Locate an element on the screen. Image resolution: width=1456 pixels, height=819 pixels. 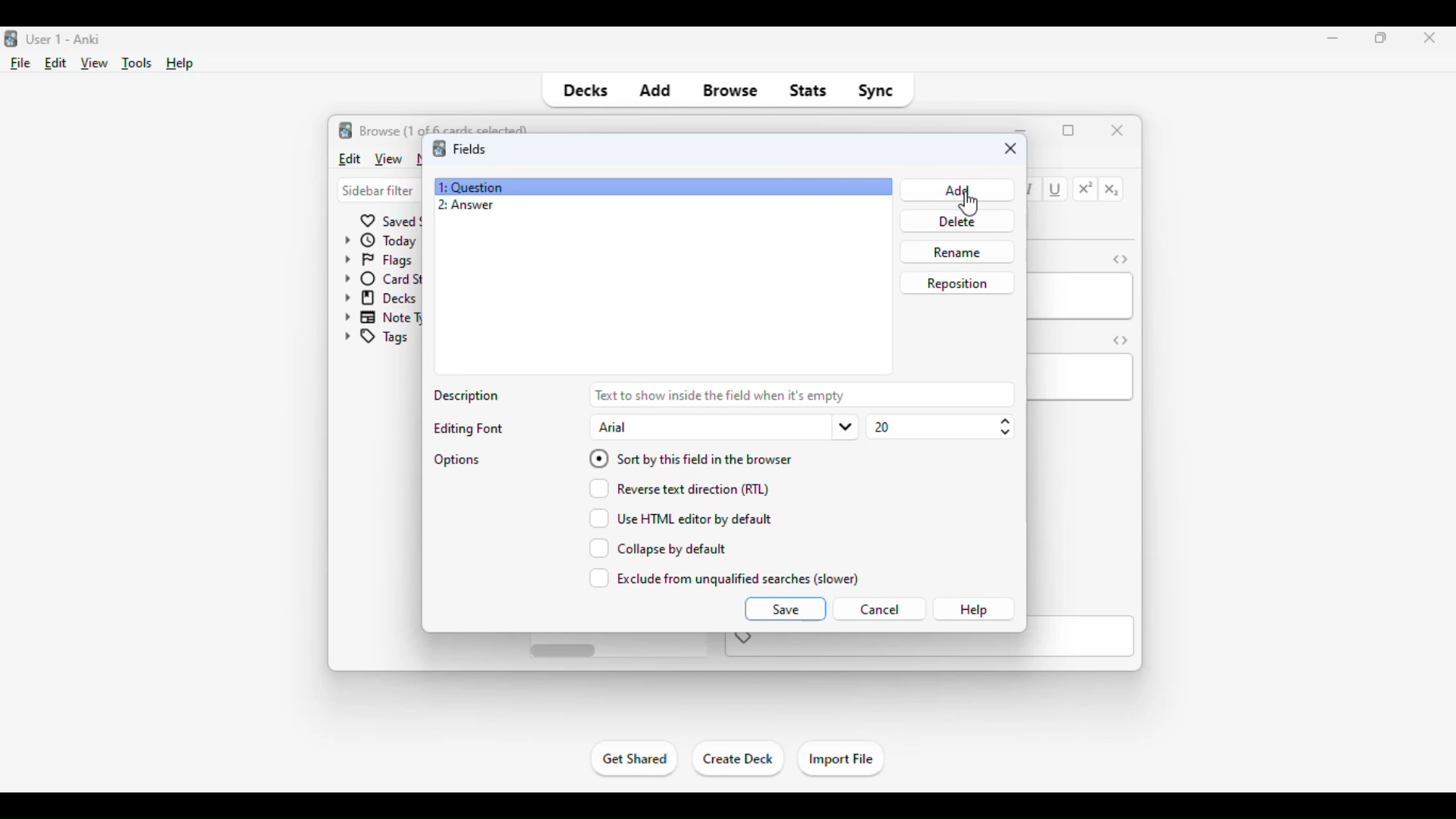
minimize is located at coordinates (1333, 37).